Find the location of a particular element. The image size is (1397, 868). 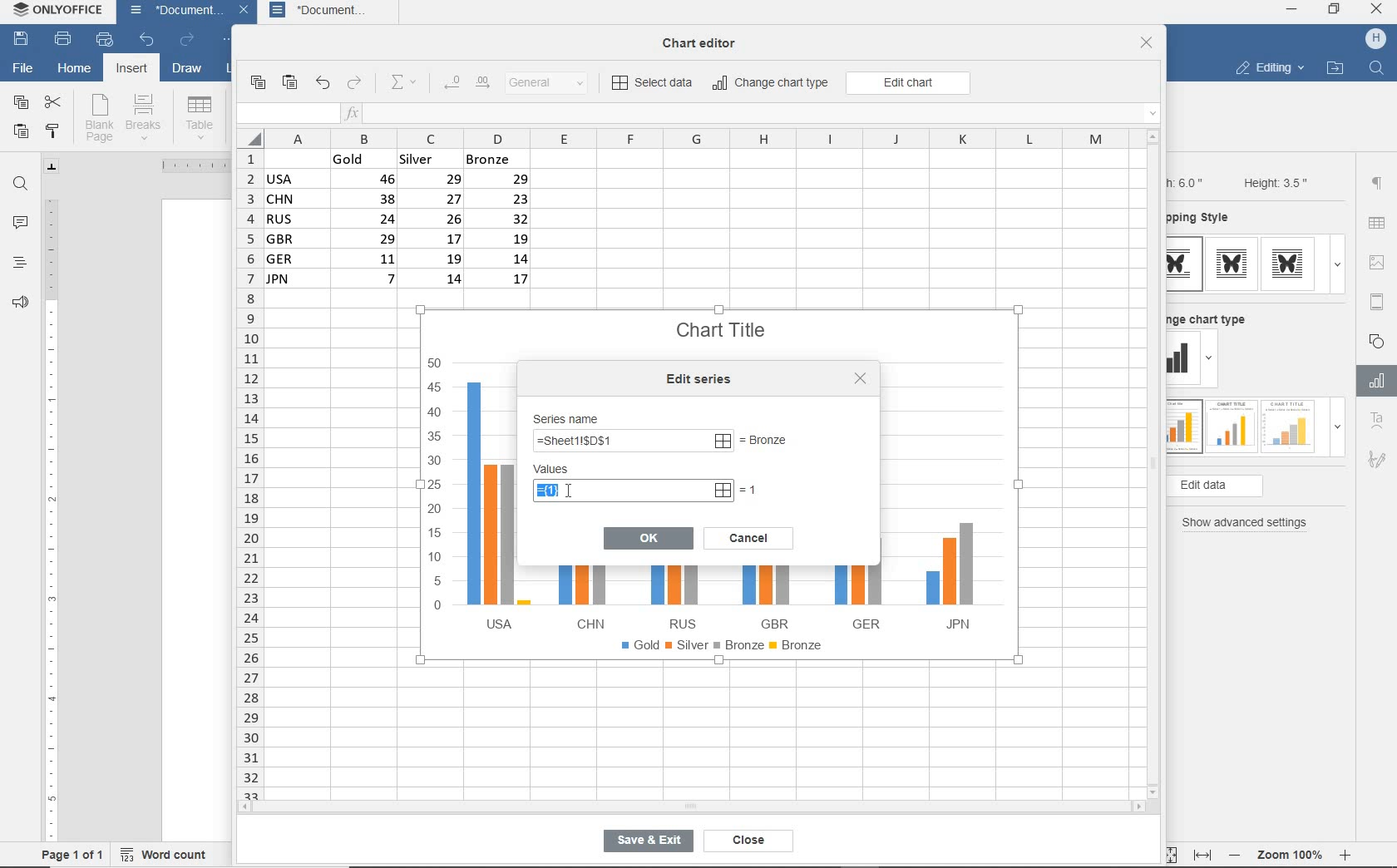

cut is located at coordinates (54, 101).